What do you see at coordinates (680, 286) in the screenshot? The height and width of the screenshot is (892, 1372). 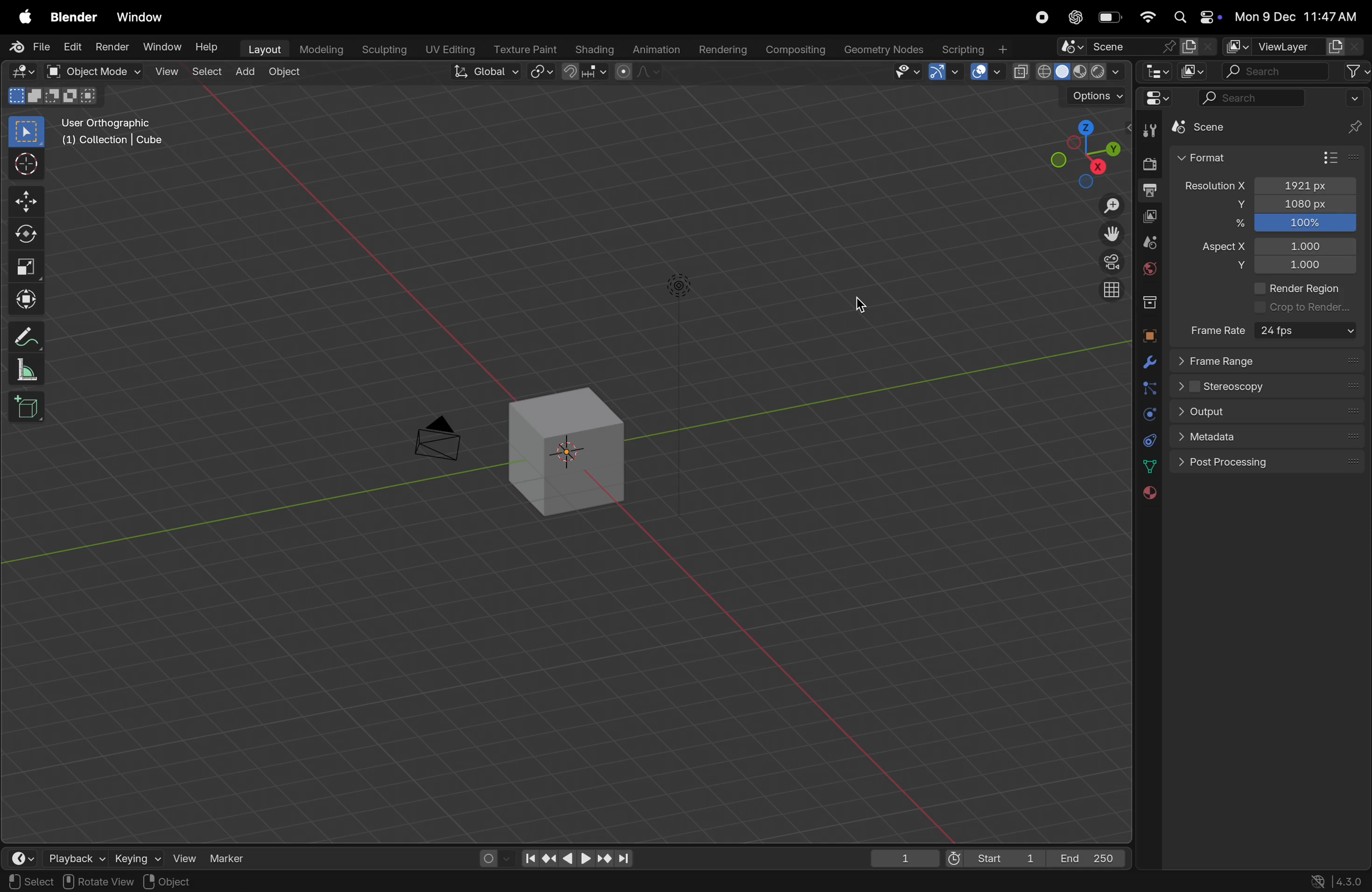 I see `light` at bounding box center [680, 286].